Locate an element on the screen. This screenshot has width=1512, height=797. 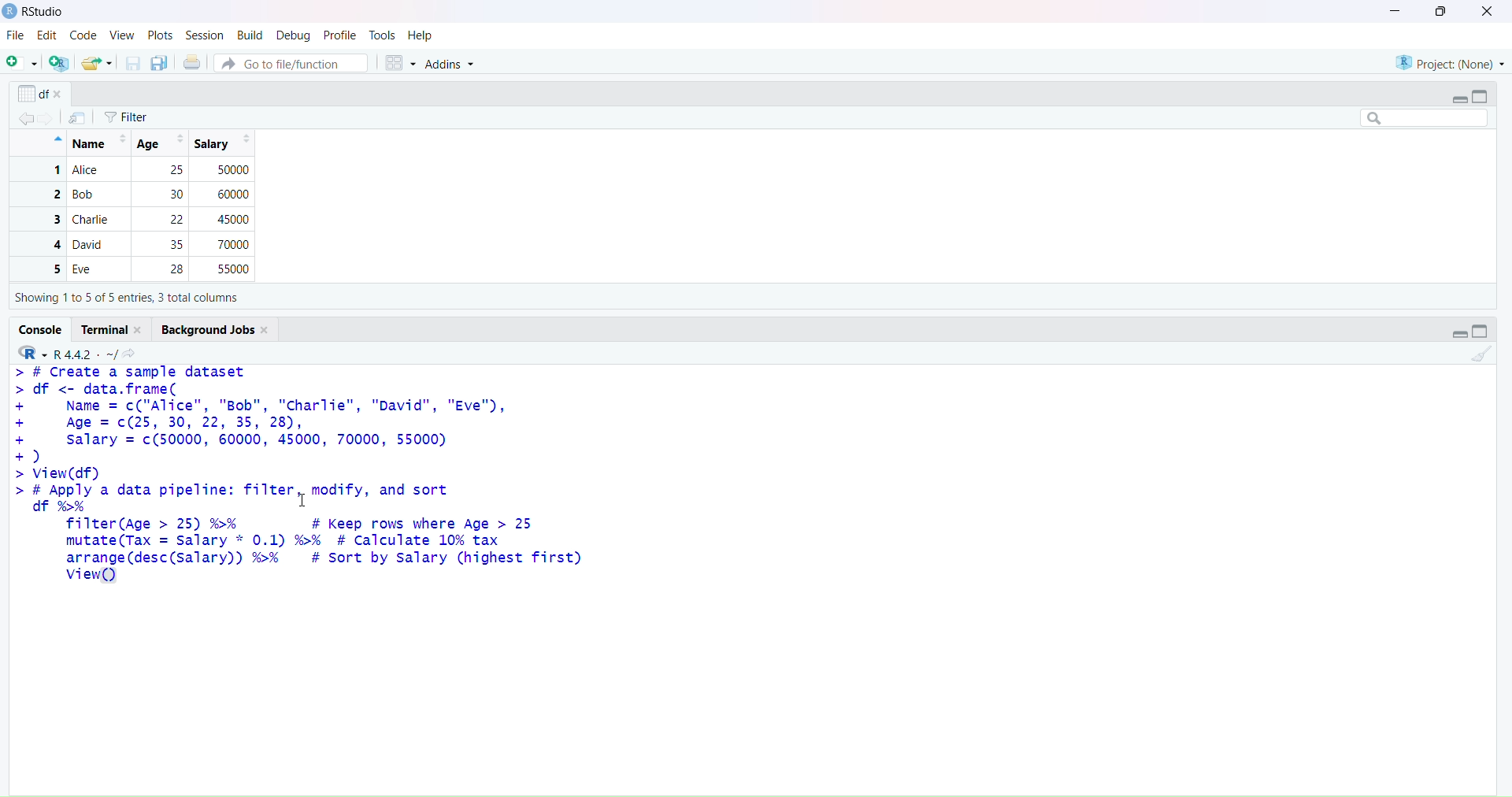
> # create a sample dataset > df <- data.frame(+ Name = c("Alice", "Bob", "Charlie", "David", "Eve"),+ Age = c(25, 30, 22, 35, 28),+ salary = c(50000, 60000, 45000, 70000, 55000)+)>view(df) is located at coordinates (272, 423).